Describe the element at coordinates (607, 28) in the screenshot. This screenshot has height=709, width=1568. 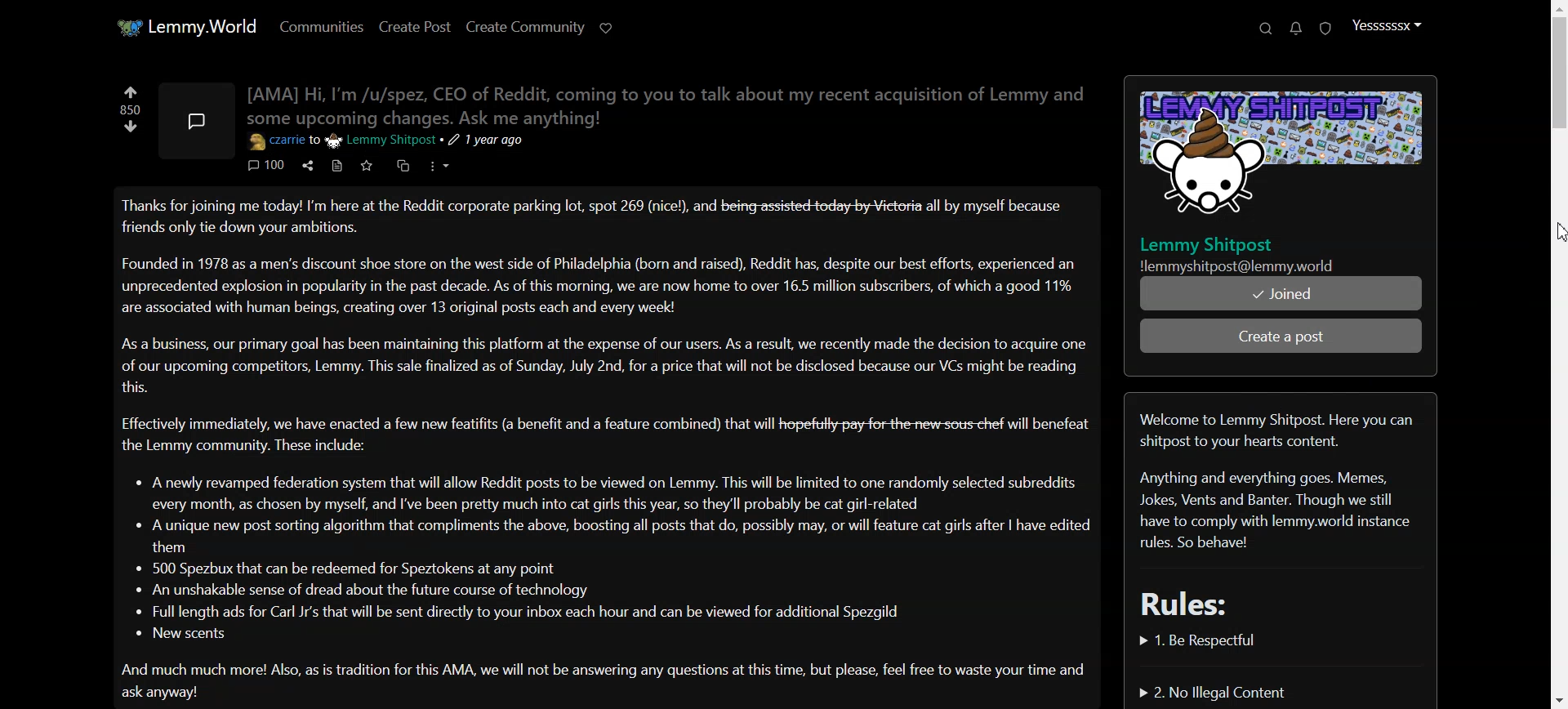
I see `support Limmy` at that location.